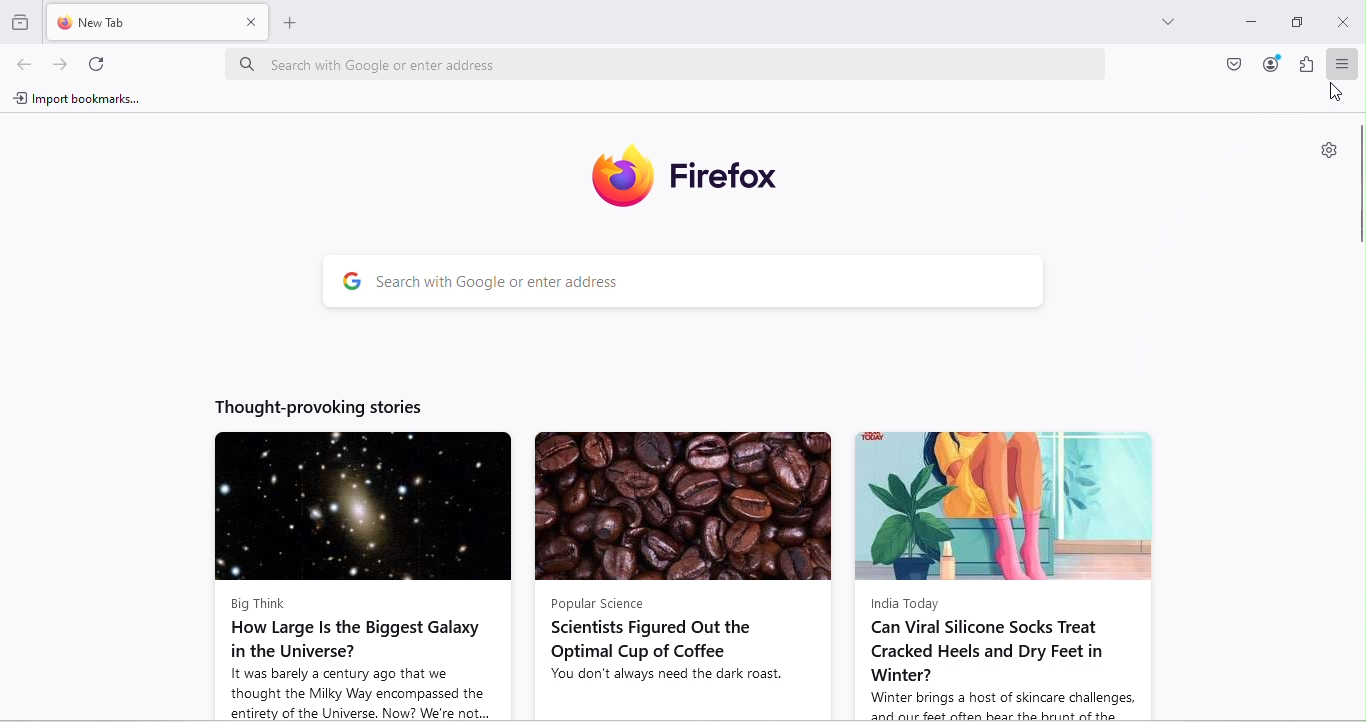 This screenshot has width=1366, height=722. What do you see at coordinates (1307, 65) in the screenshot?
I see `Extensions` at bounding box center [1307, 65].